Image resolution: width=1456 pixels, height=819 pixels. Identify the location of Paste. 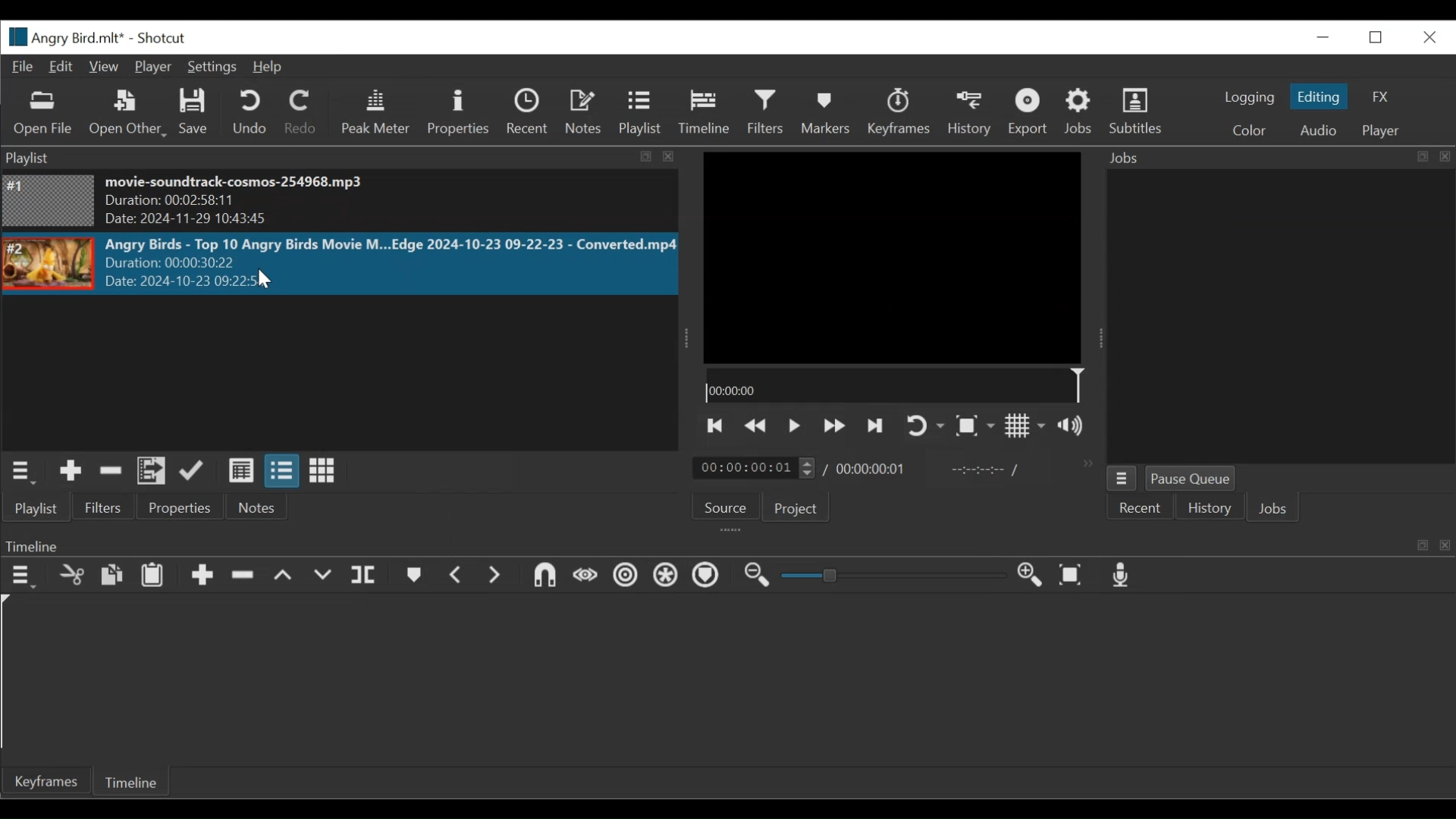
(153, 575).